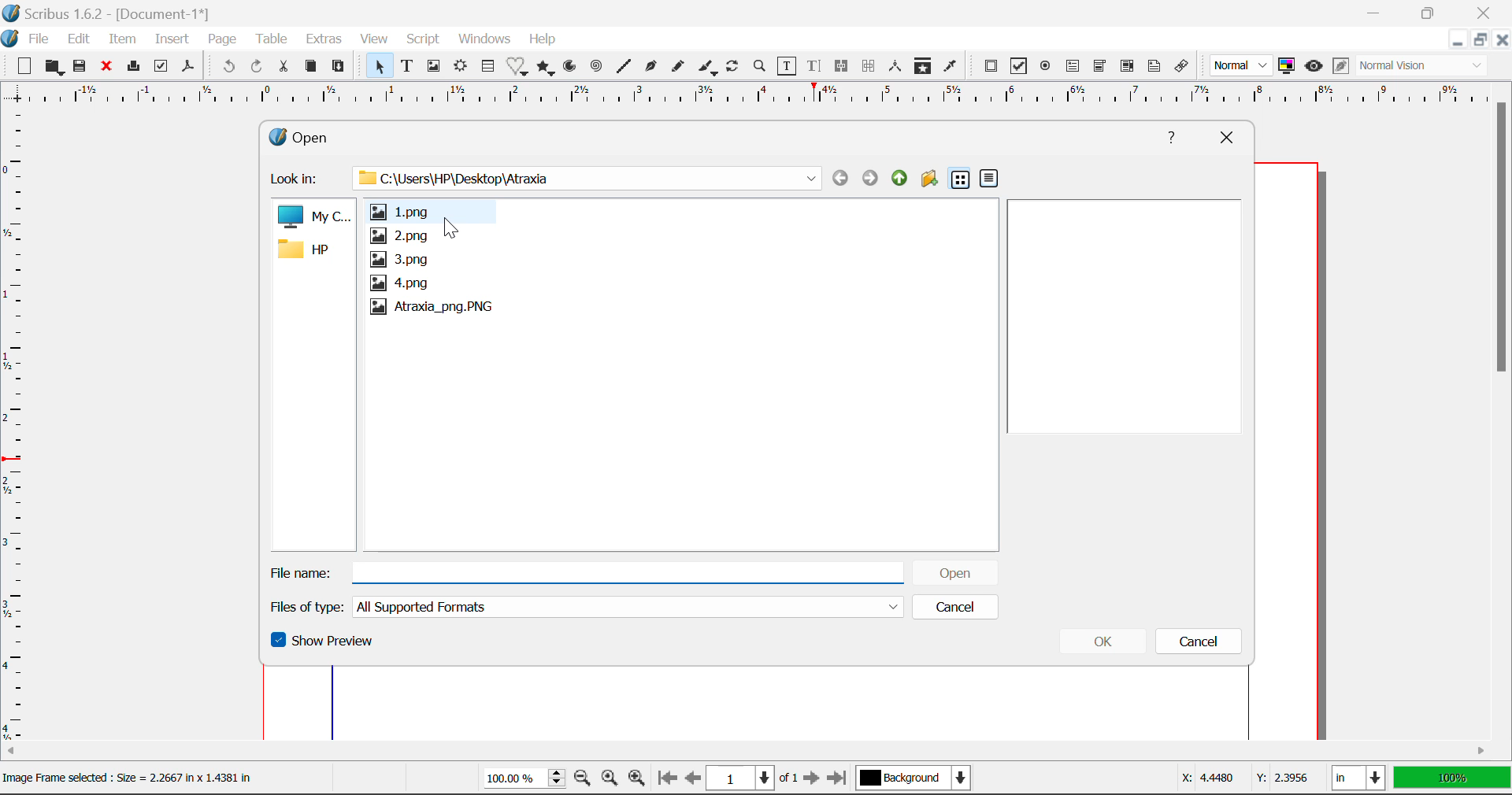 The width and height of the screenshot is (1512, 795). Describe the element at coordinates (1378, 12) in the screenshot. I see `Restore Down` at that location.